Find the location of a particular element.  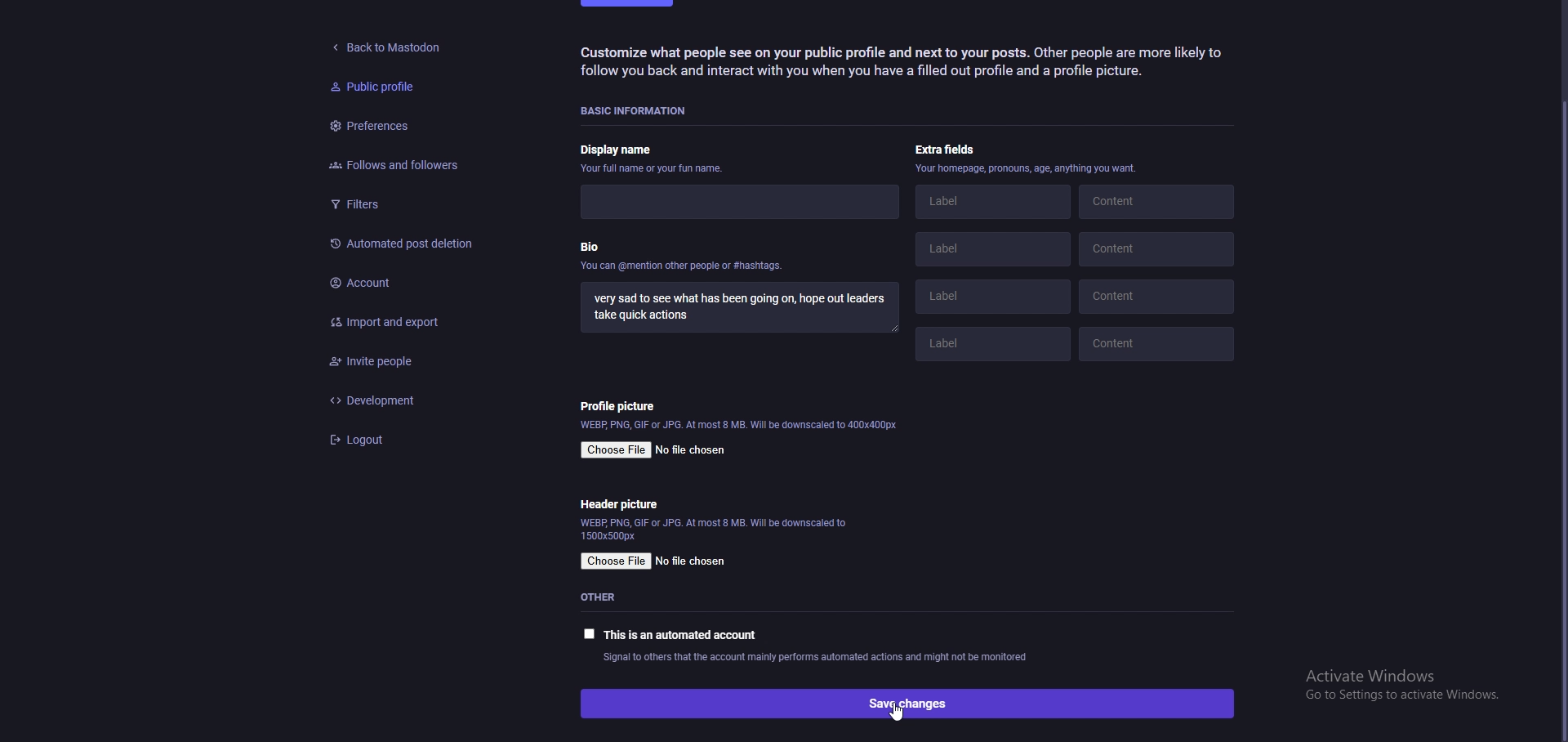

info is located at coordinates (1027, 170).